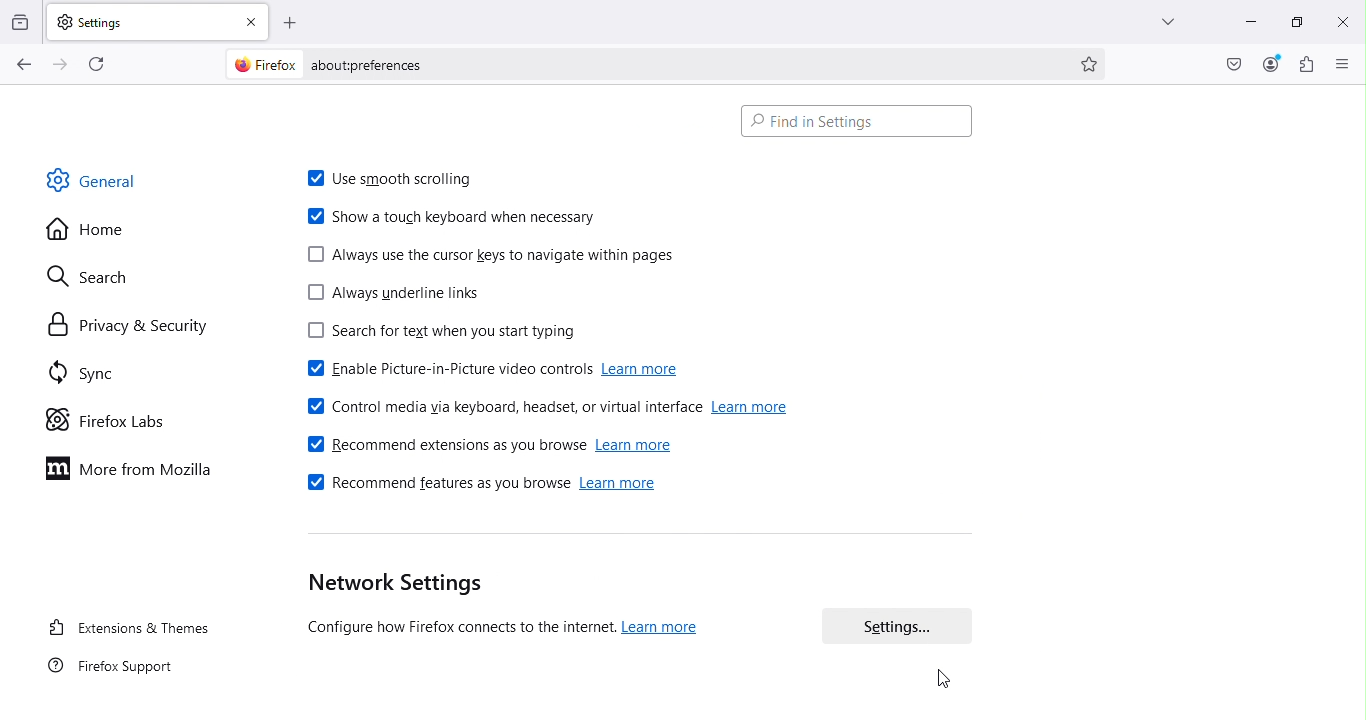  I want to click on Home, so click(98, 230).